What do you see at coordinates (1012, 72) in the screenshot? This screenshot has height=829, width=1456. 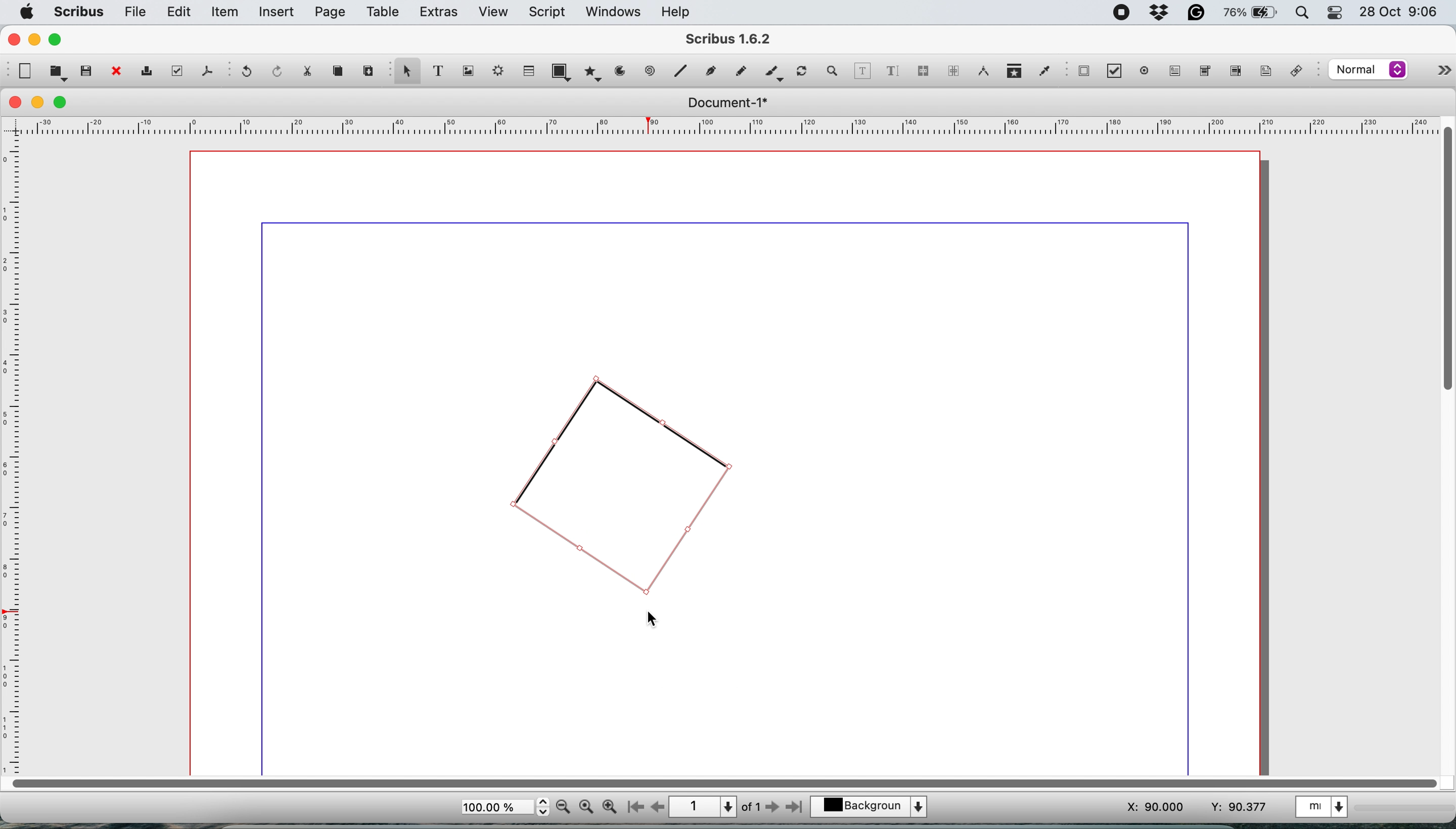 I see `copy item properties` at bounding box center [1012, 72].